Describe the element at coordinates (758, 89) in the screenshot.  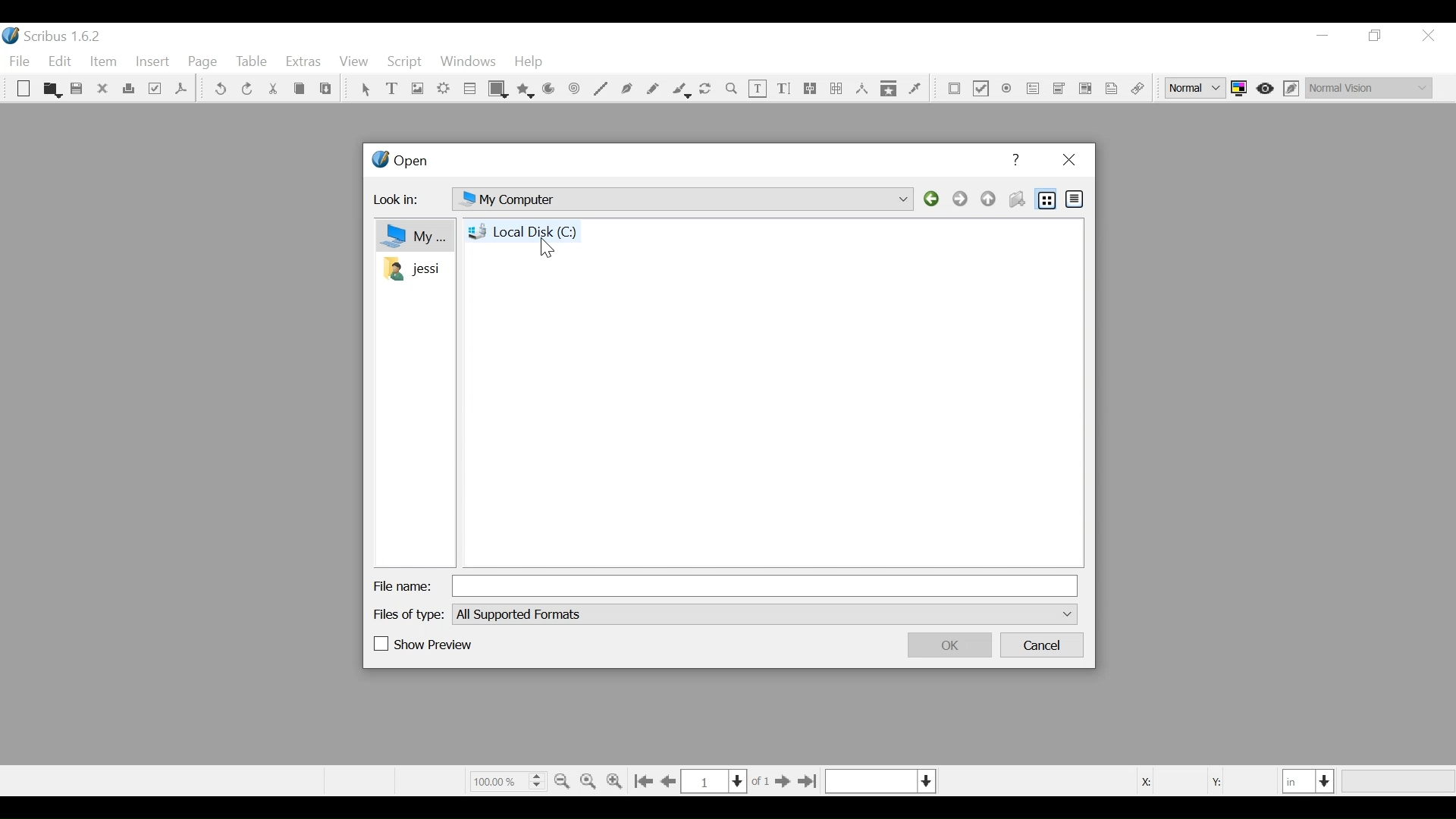
I see `Edit Text Content` at that location.